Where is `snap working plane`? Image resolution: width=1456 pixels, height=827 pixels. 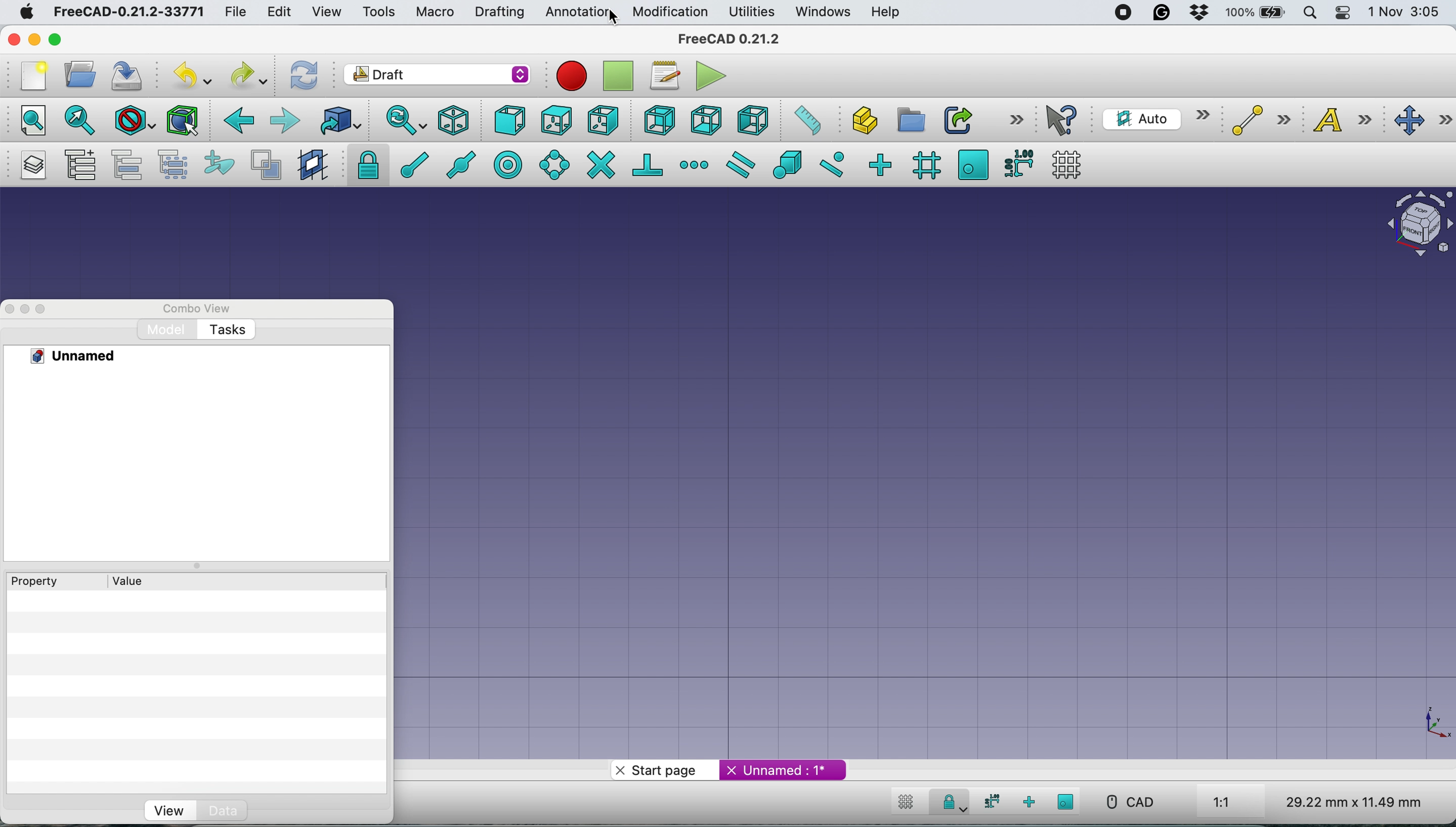
snap working plane is located at coordinates (1071, 800).